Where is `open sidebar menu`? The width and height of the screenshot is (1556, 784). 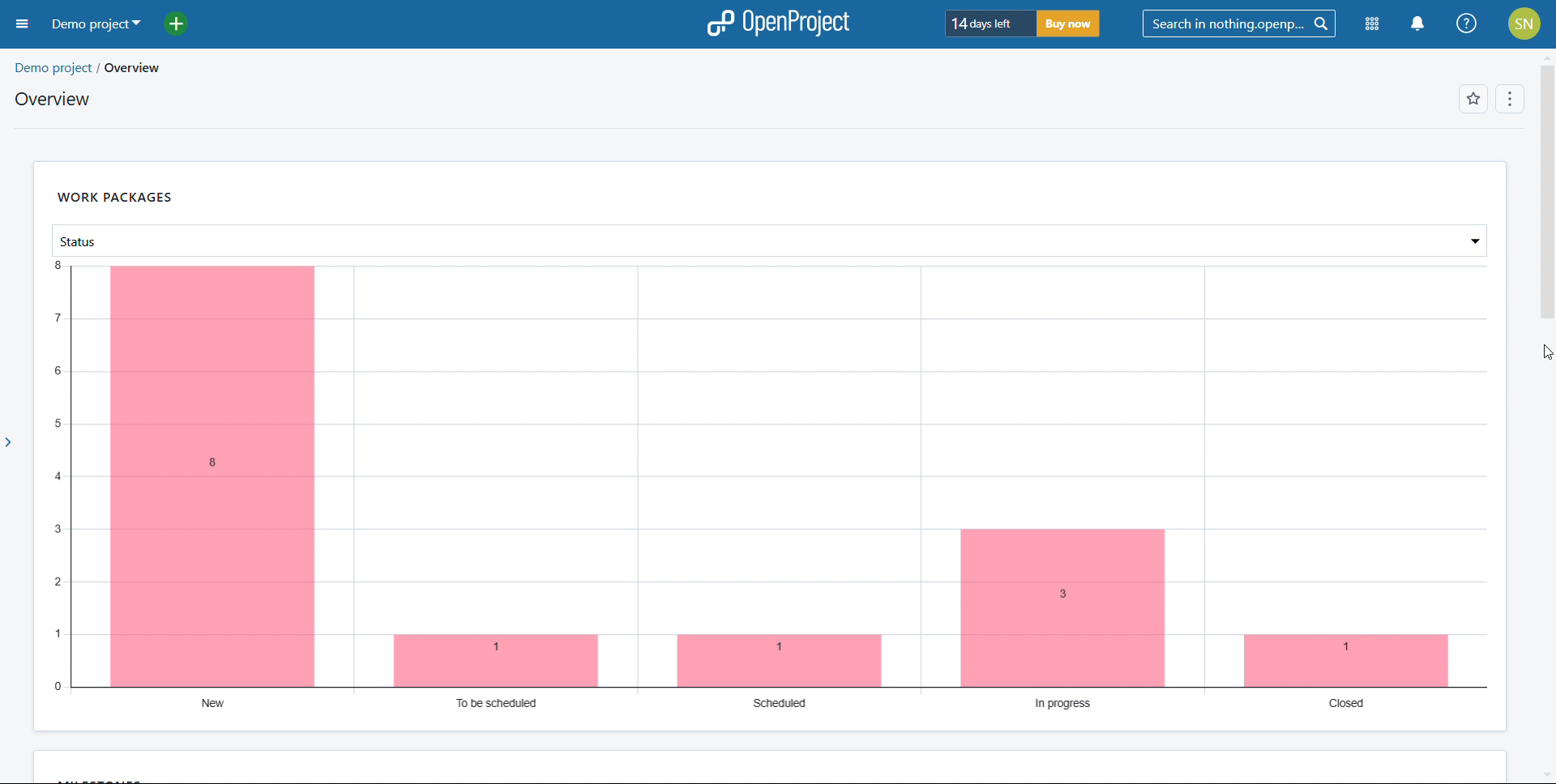
open sidebar menu is located at coordinates (24, 23).